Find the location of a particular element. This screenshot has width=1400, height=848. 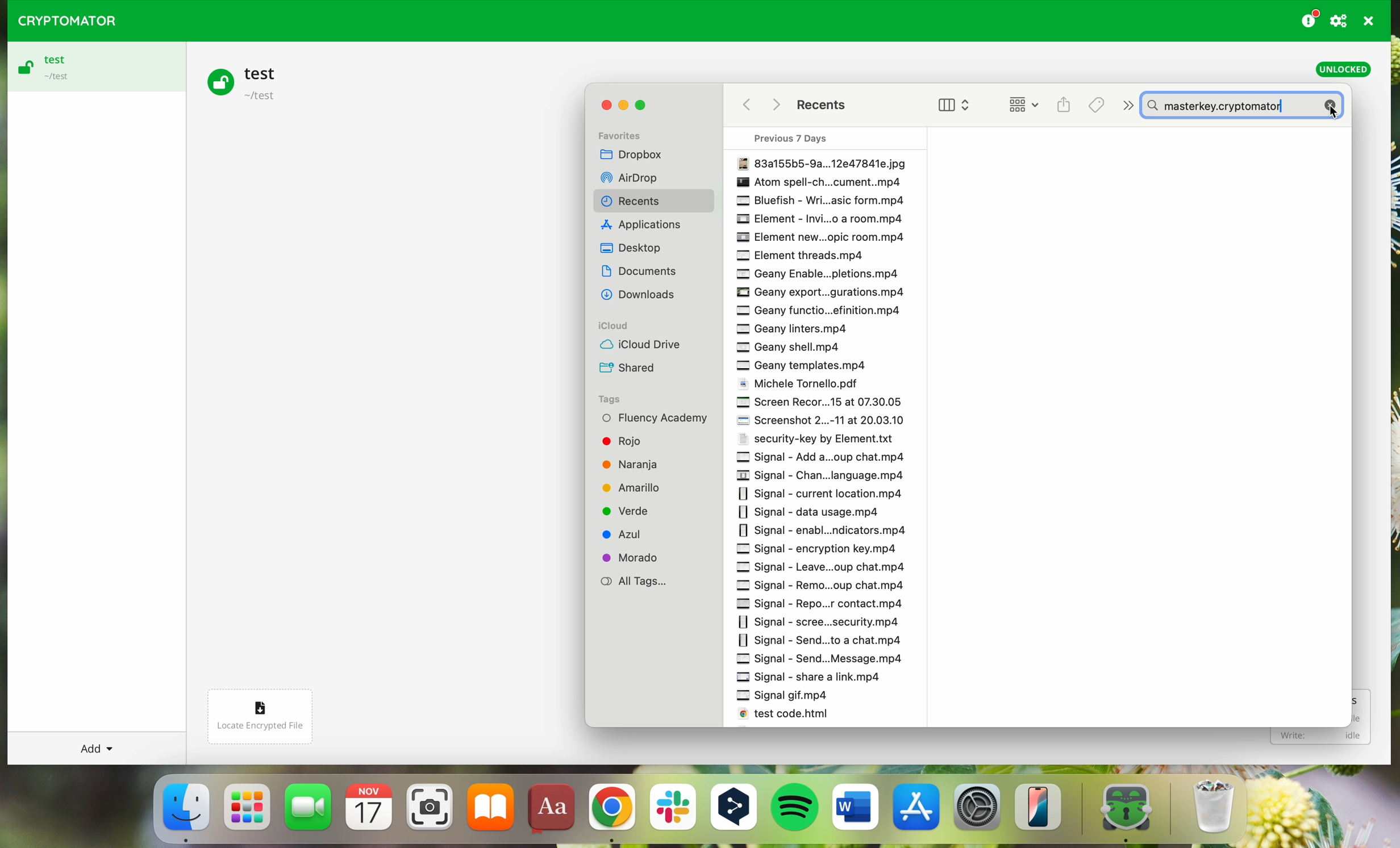

Dekstop is located at coordinates (635, 248).